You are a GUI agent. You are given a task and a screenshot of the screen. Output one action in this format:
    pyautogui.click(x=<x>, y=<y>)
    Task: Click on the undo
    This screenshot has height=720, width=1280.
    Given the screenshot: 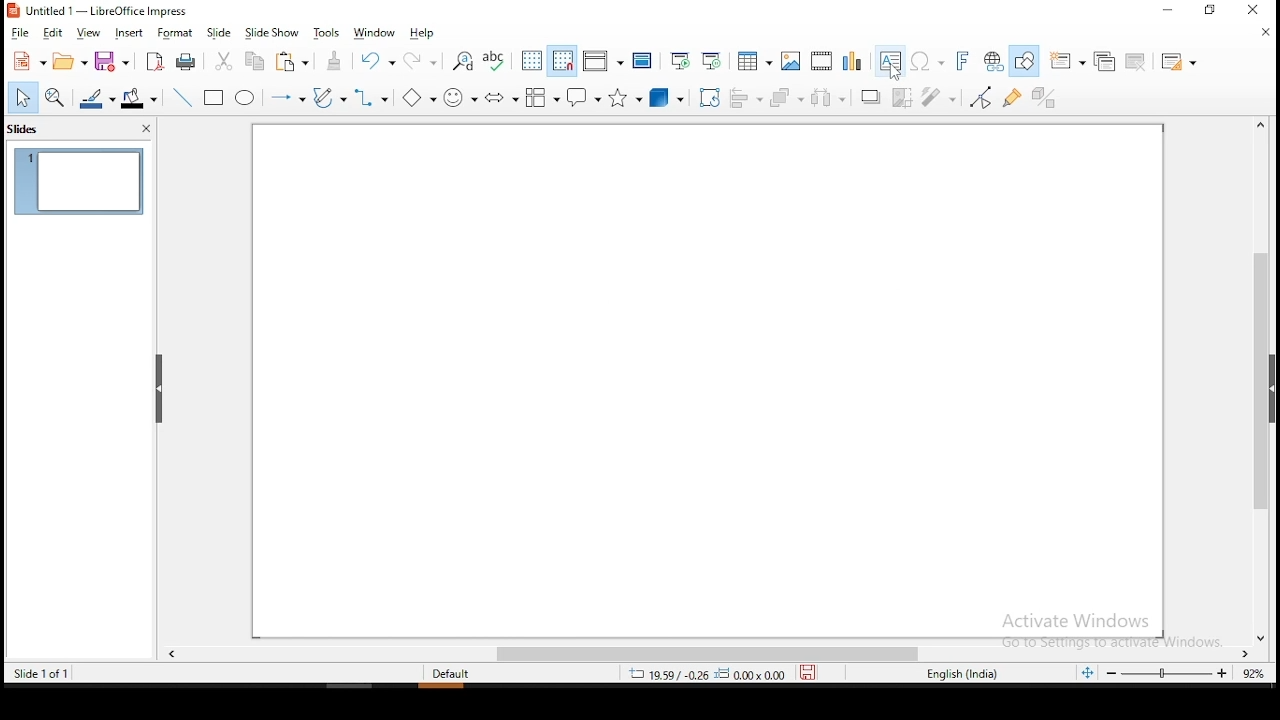 What is the action you would take?
    pyautogui.click(x=380, y=63)
    